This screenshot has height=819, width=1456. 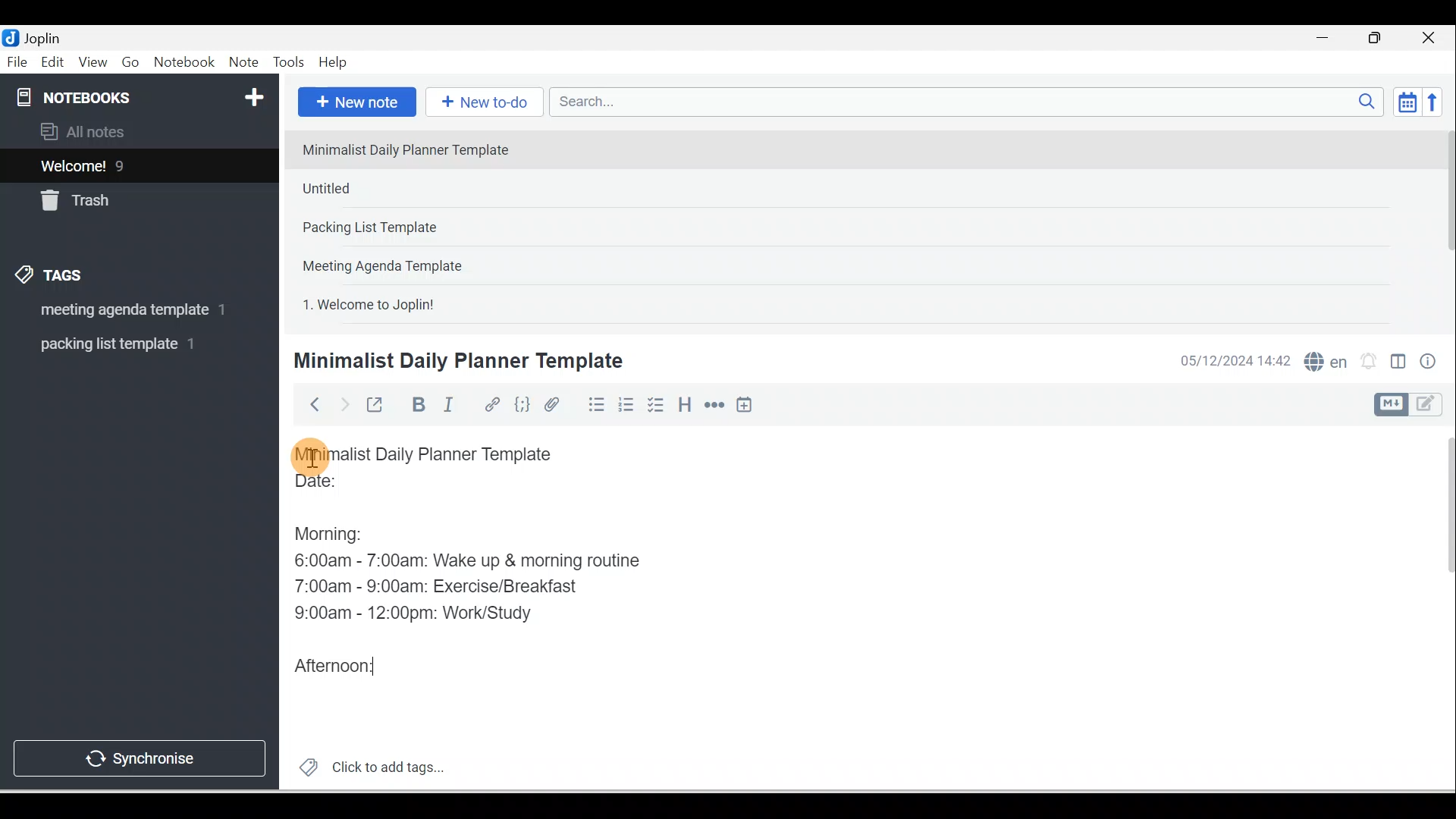 I want to click on Toggle external editing, so click(x=377, y=408).